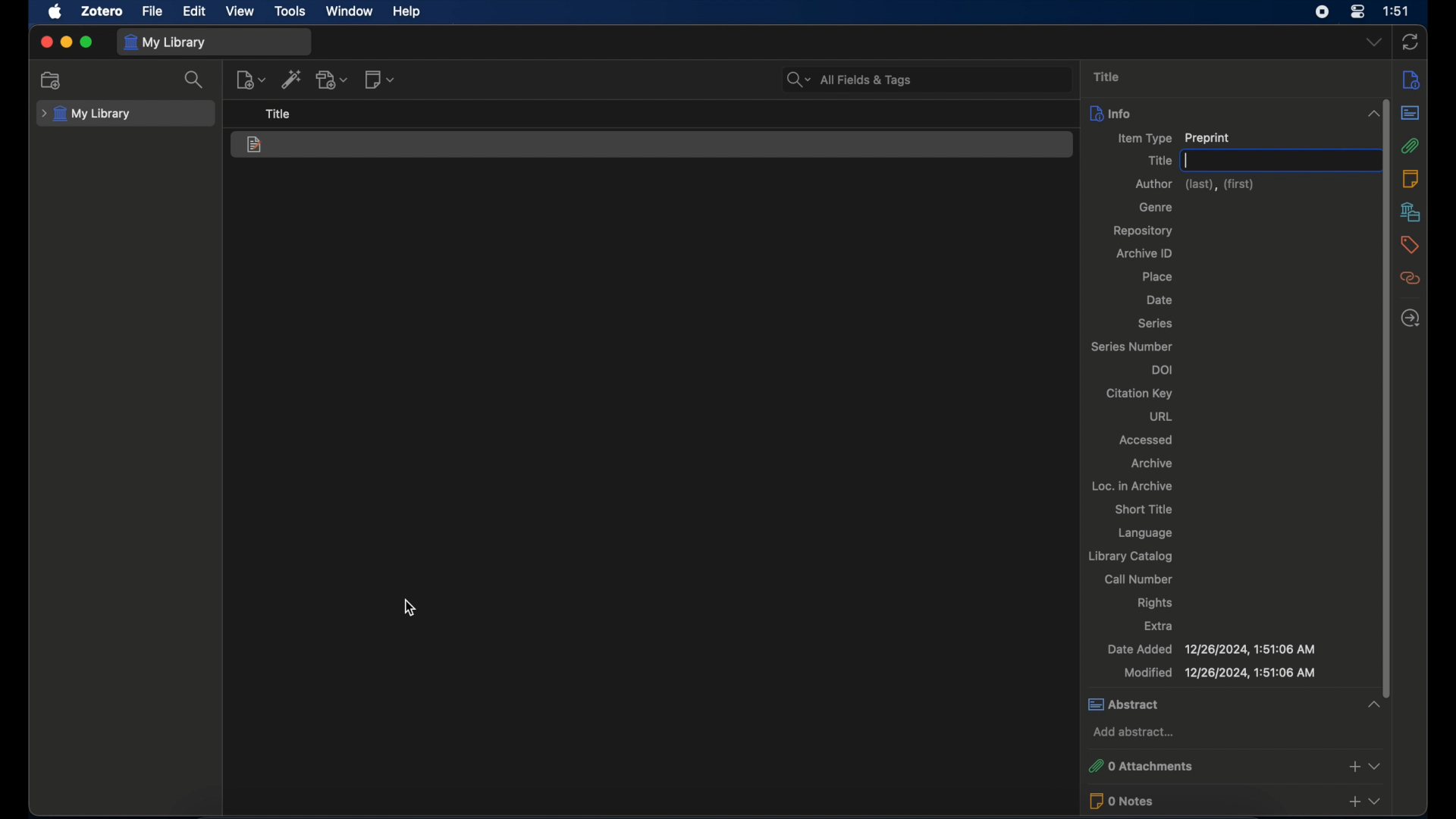 Image resolution: width=1456 pixels, height=819 pixels. I want to click on archive, so click(1154, 464).